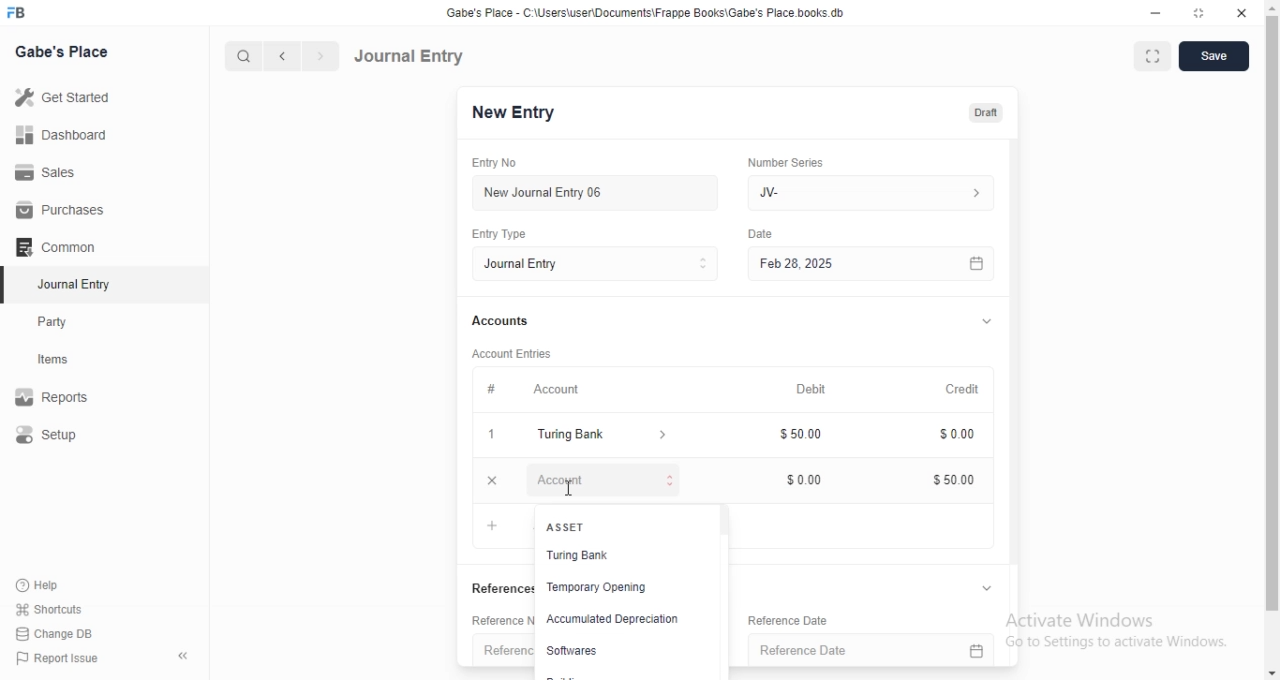 Image resolution: width=1280 pixels, height=680 pixels. Describe the element at coordinates (528, 352) in the screenshot. I see `‘Account Entries.` at that location.